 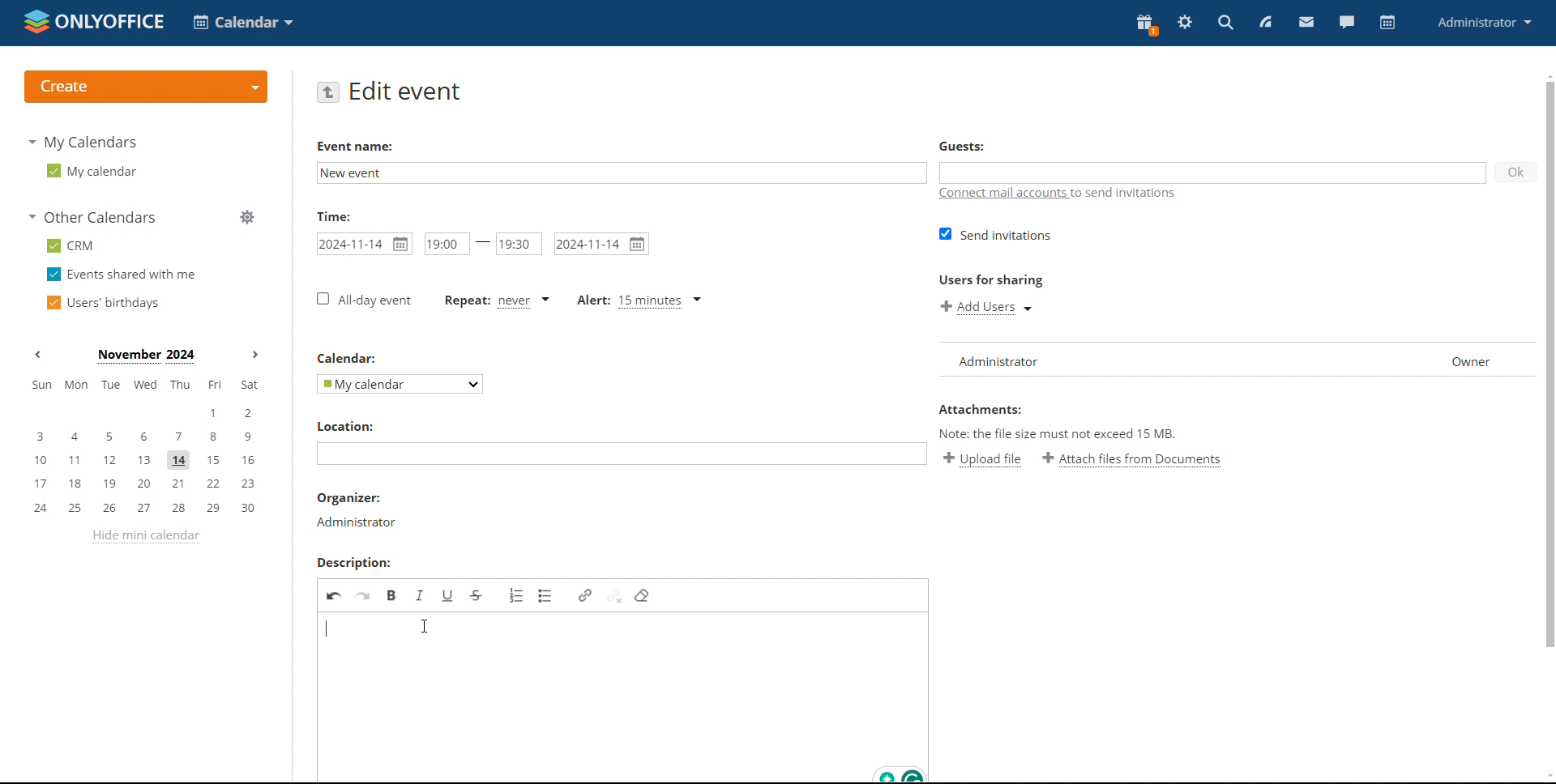 What do you see at coordinates (546, 595) in the screenshot?
I see `insert/remove bulleted list` at bounding box center [546, 595].